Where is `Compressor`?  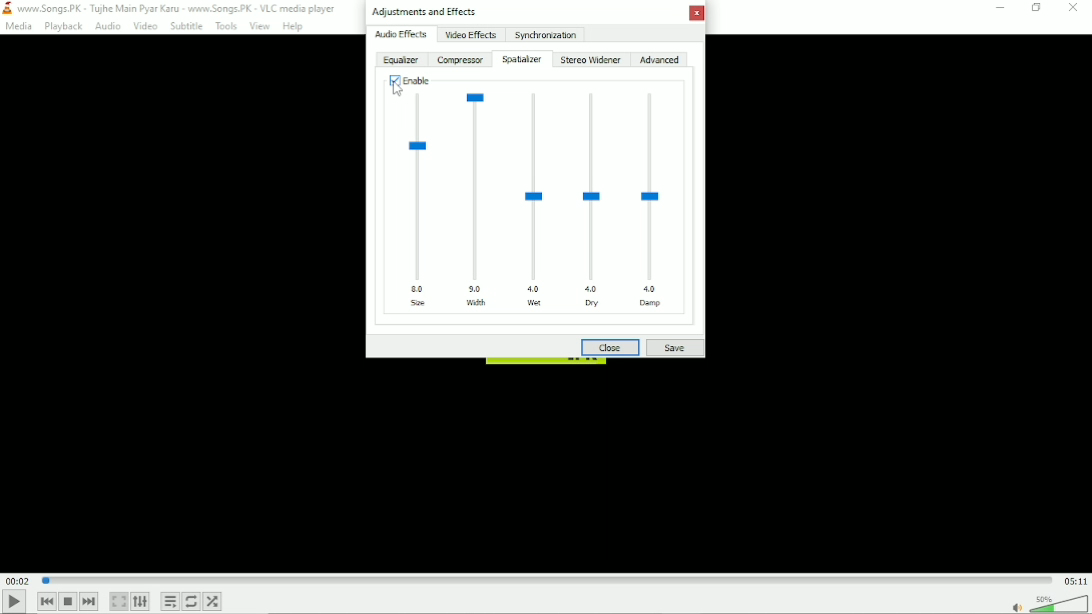 Compressor is located at coordinates (460, 60).